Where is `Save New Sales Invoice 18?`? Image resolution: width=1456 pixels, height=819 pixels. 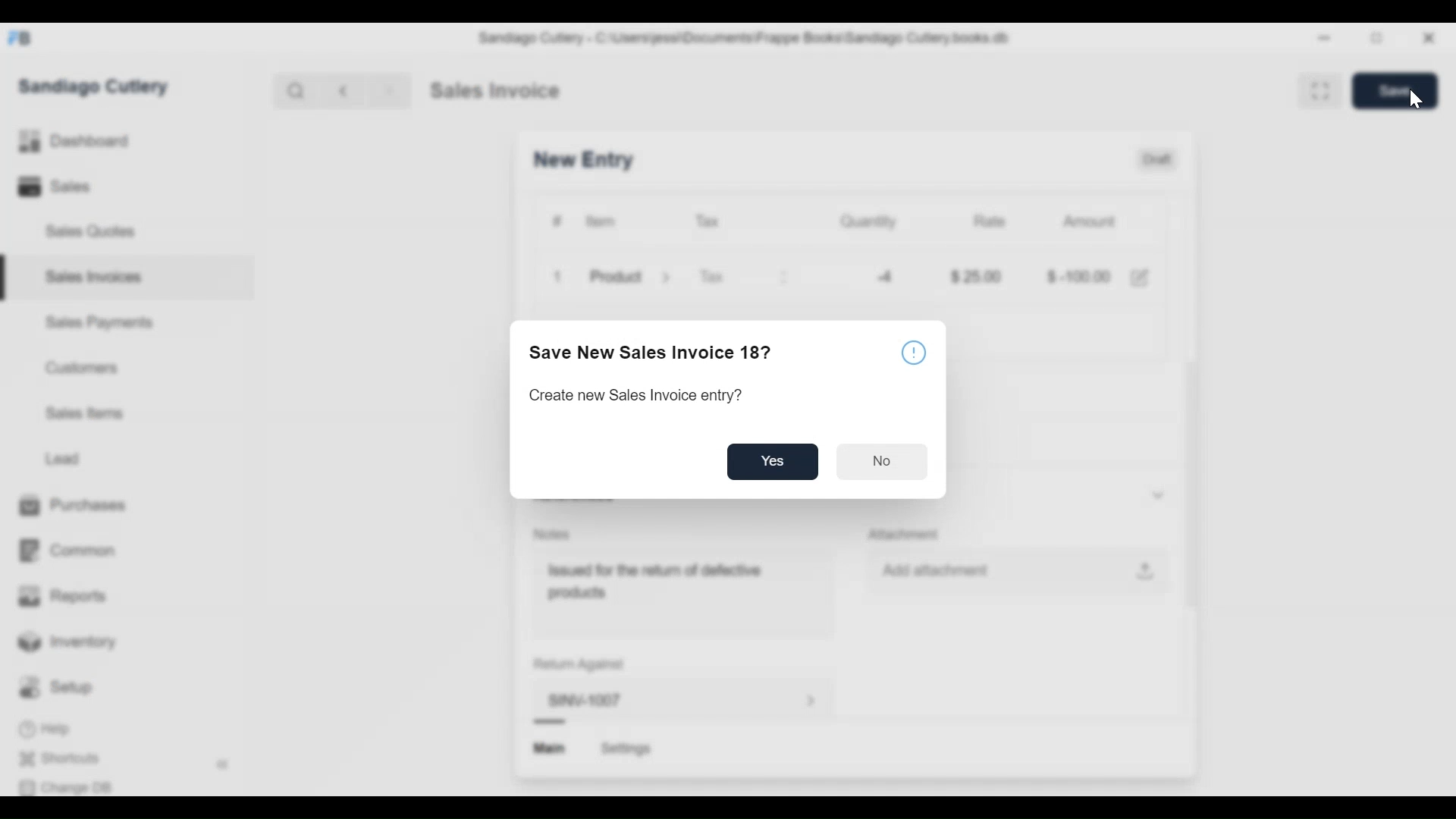 Save New Sales Invoice 18? is located at coordinates (650, 352).